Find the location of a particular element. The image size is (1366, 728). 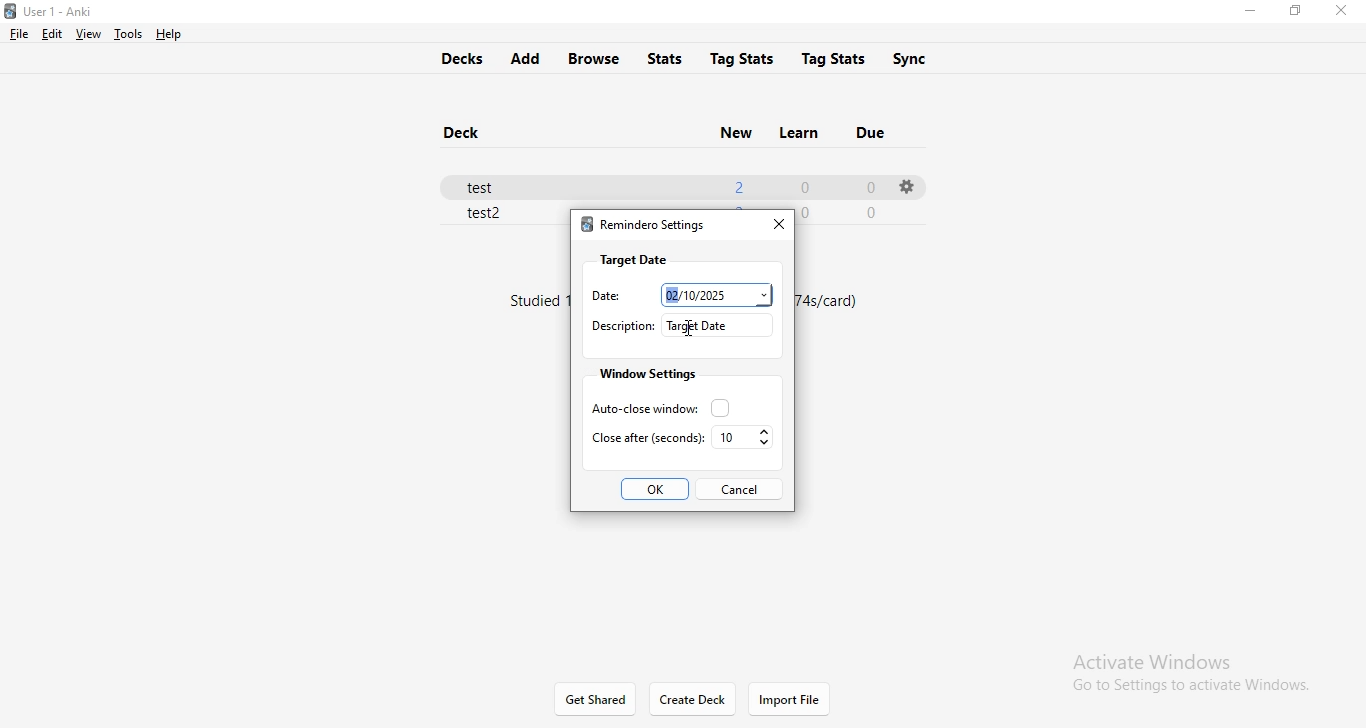

edit is located at coordinates (50, 33).